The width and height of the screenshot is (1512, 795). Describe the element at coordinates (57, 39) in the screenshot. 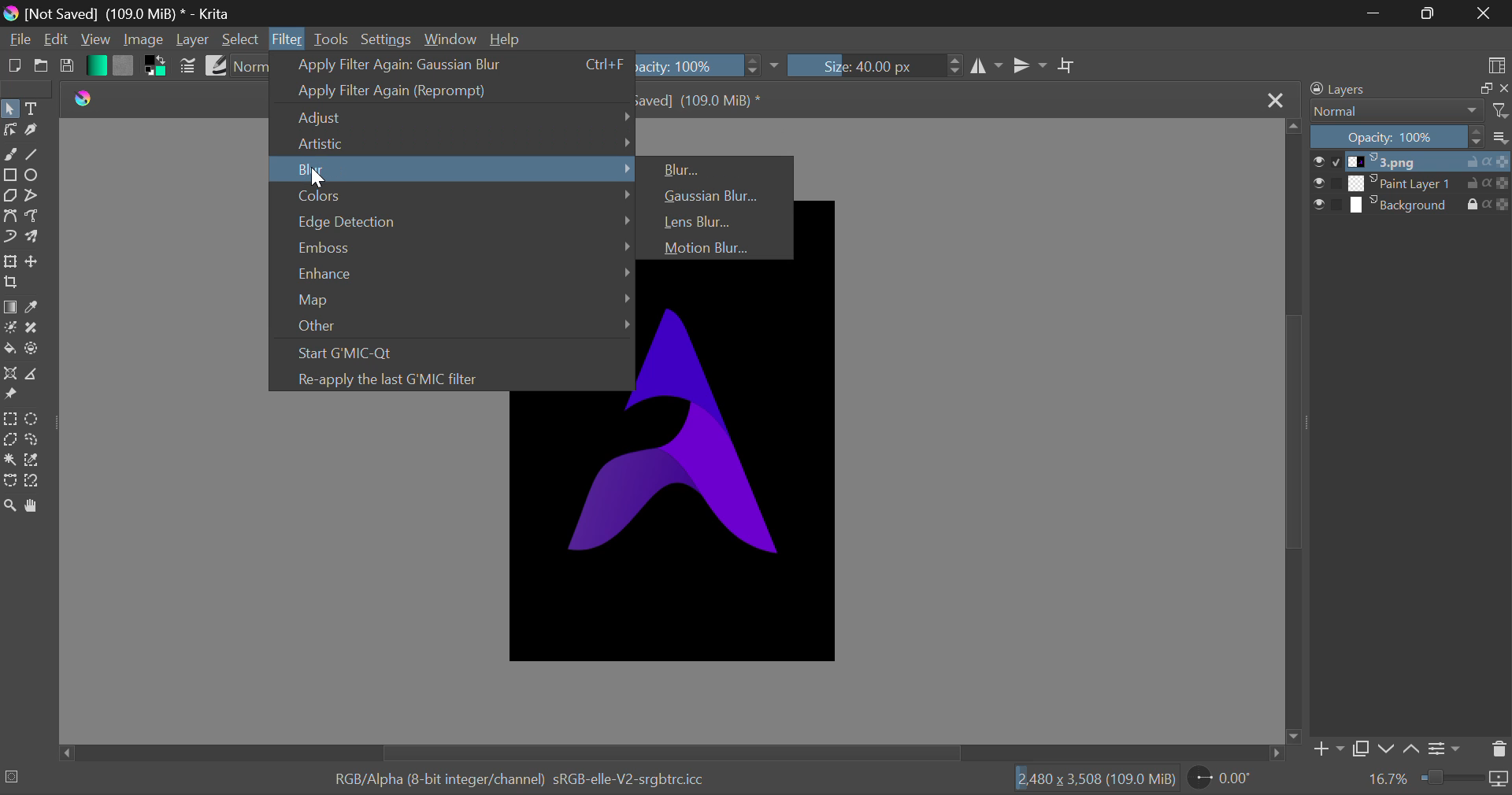

I see `Edit` at that location.